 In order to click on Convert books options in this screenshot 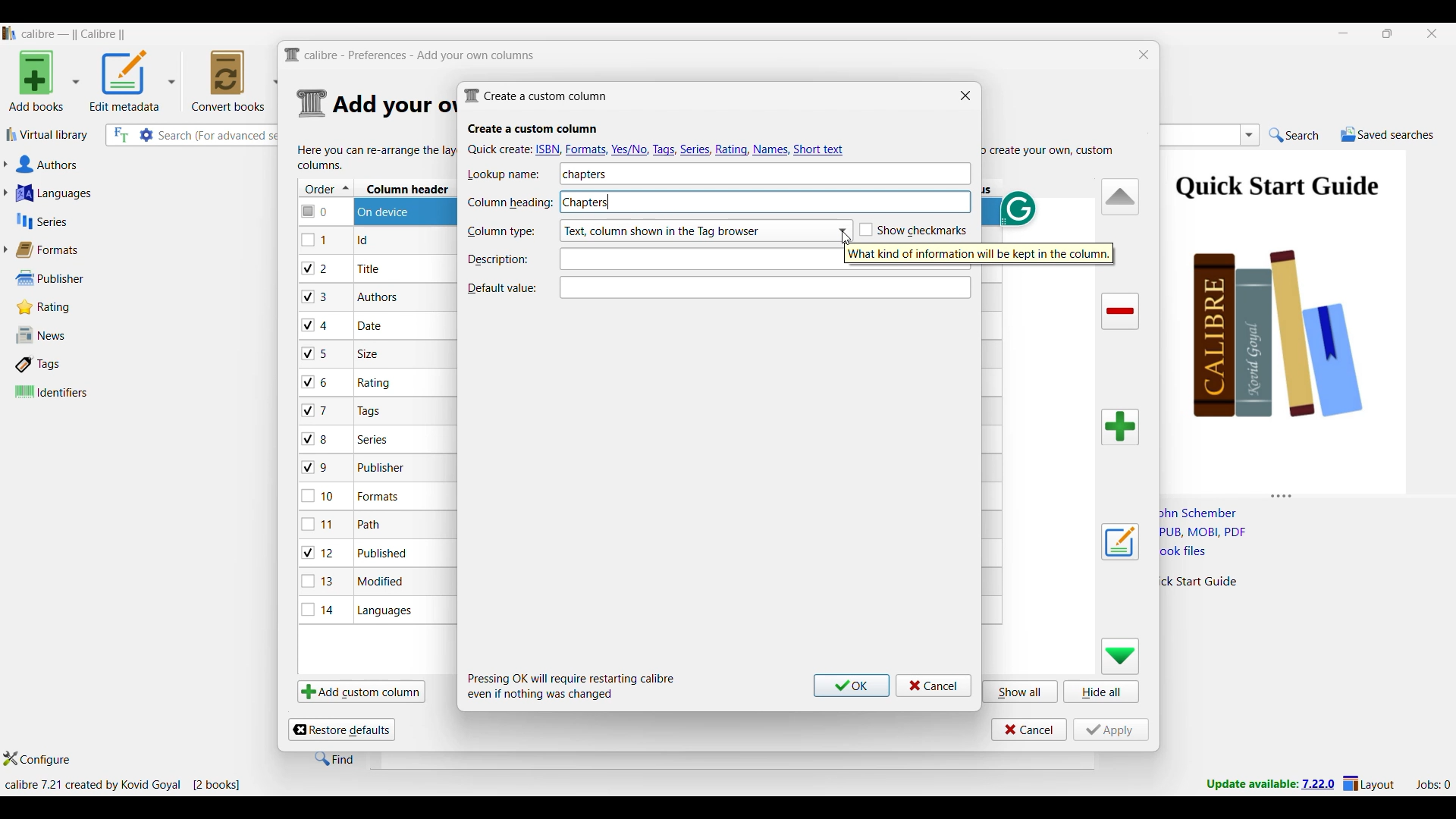, I will do `click(235, 80)`.